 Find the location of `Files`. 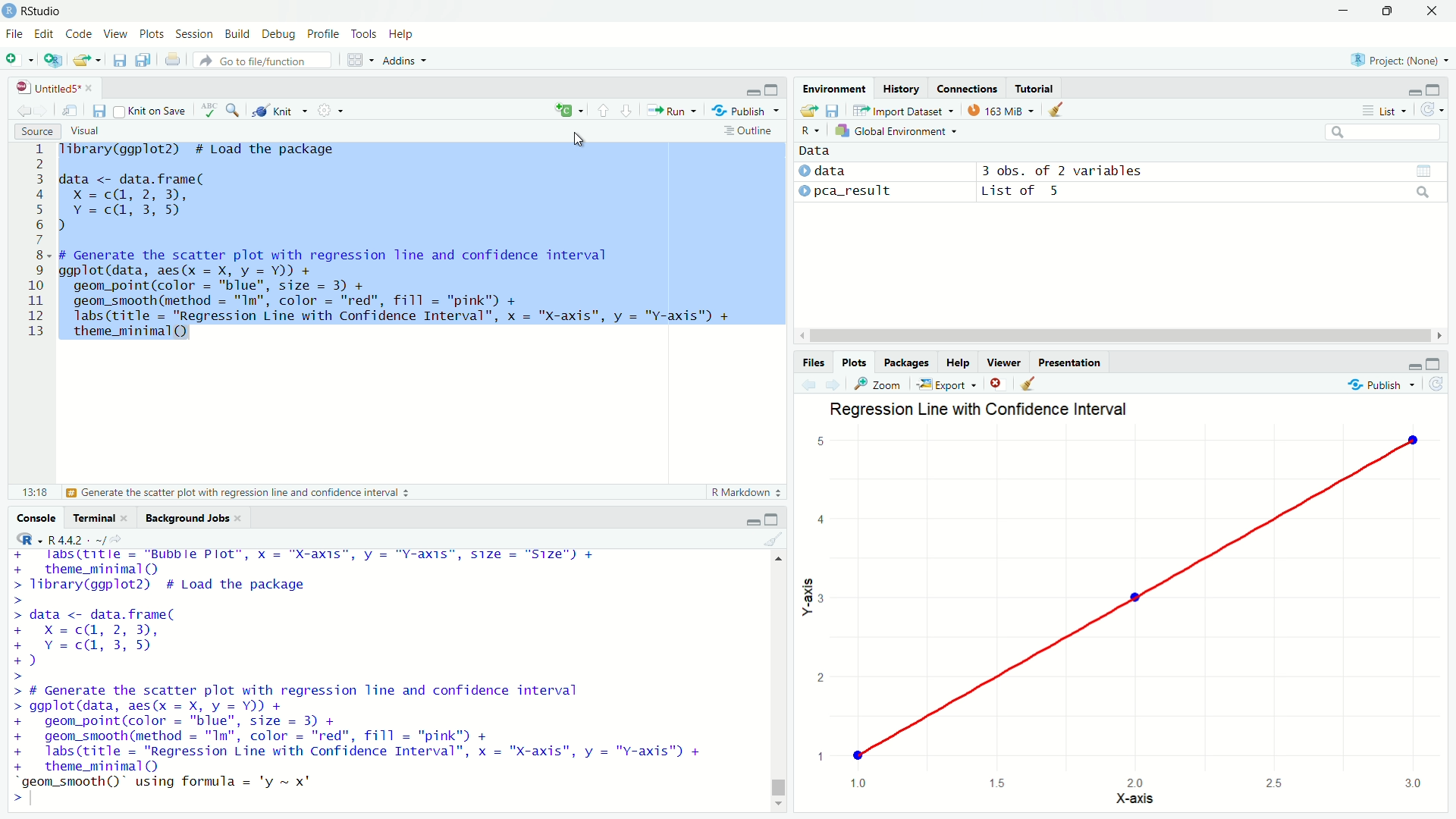

Files is located at coordinates (814, 362).